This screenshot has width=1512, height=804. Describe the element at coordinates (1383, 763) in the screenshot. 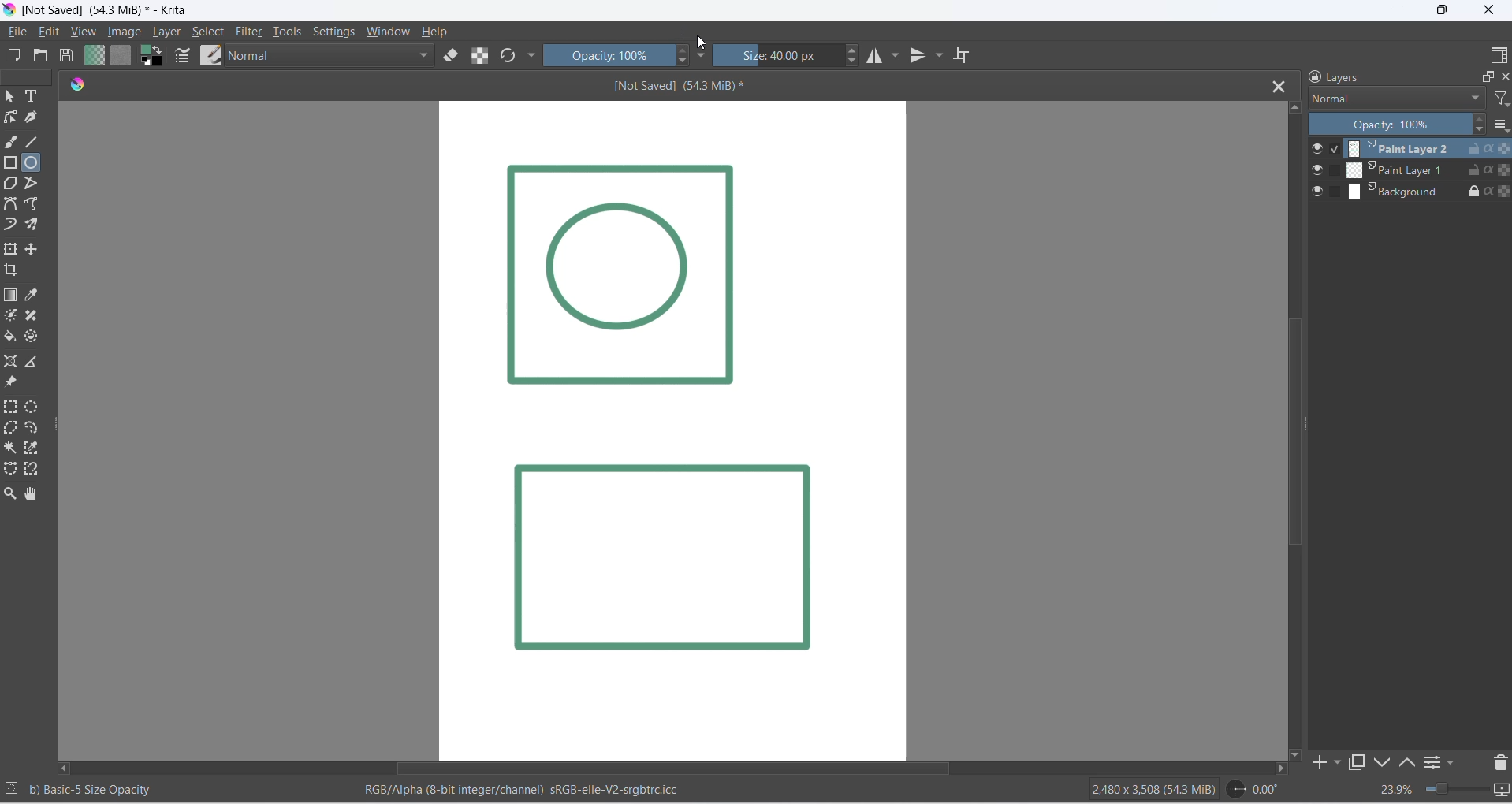

I see `down` at that location.